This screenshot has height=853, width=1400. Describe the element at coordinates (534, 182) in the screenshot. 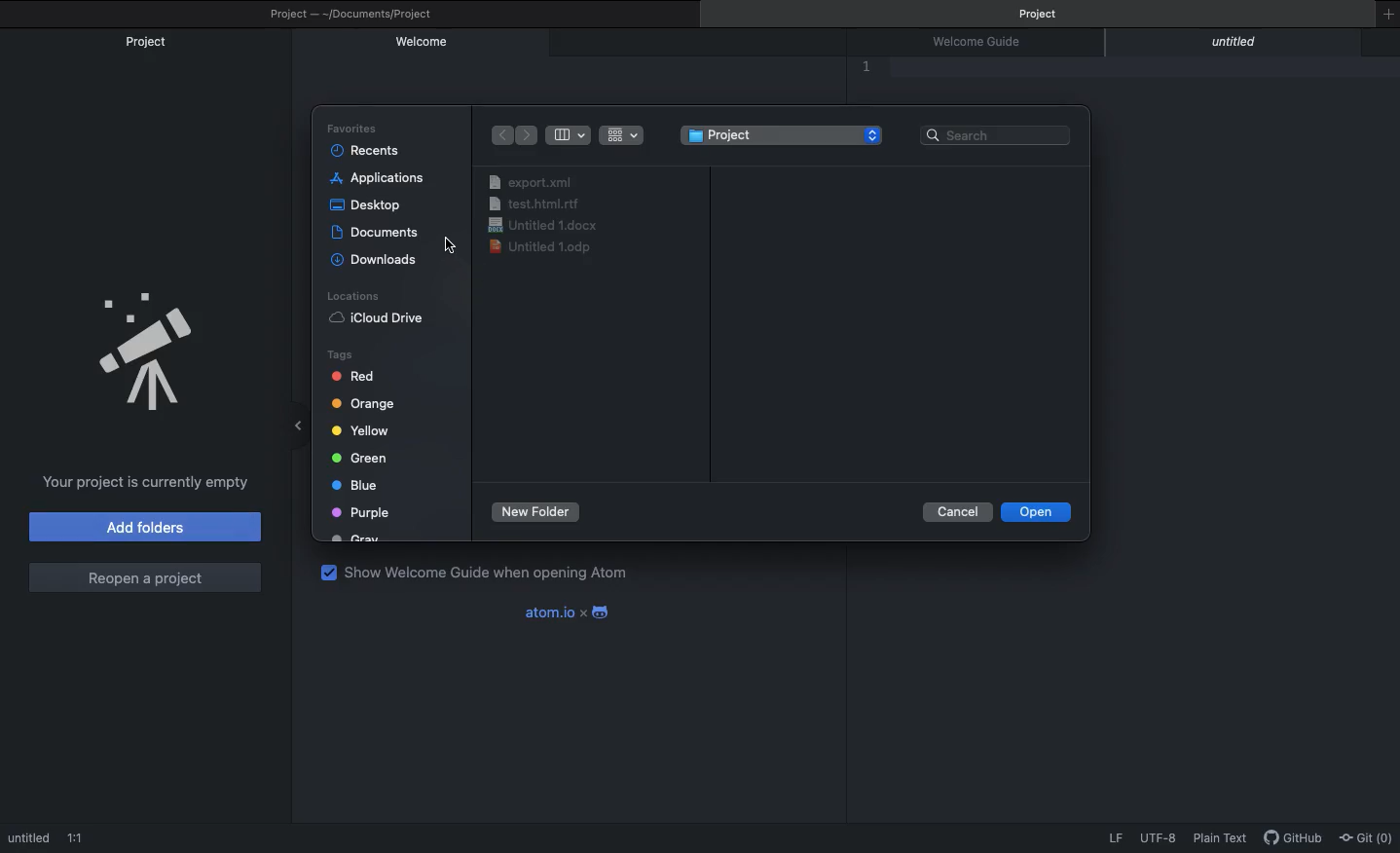

I see `export.xml` at that location.